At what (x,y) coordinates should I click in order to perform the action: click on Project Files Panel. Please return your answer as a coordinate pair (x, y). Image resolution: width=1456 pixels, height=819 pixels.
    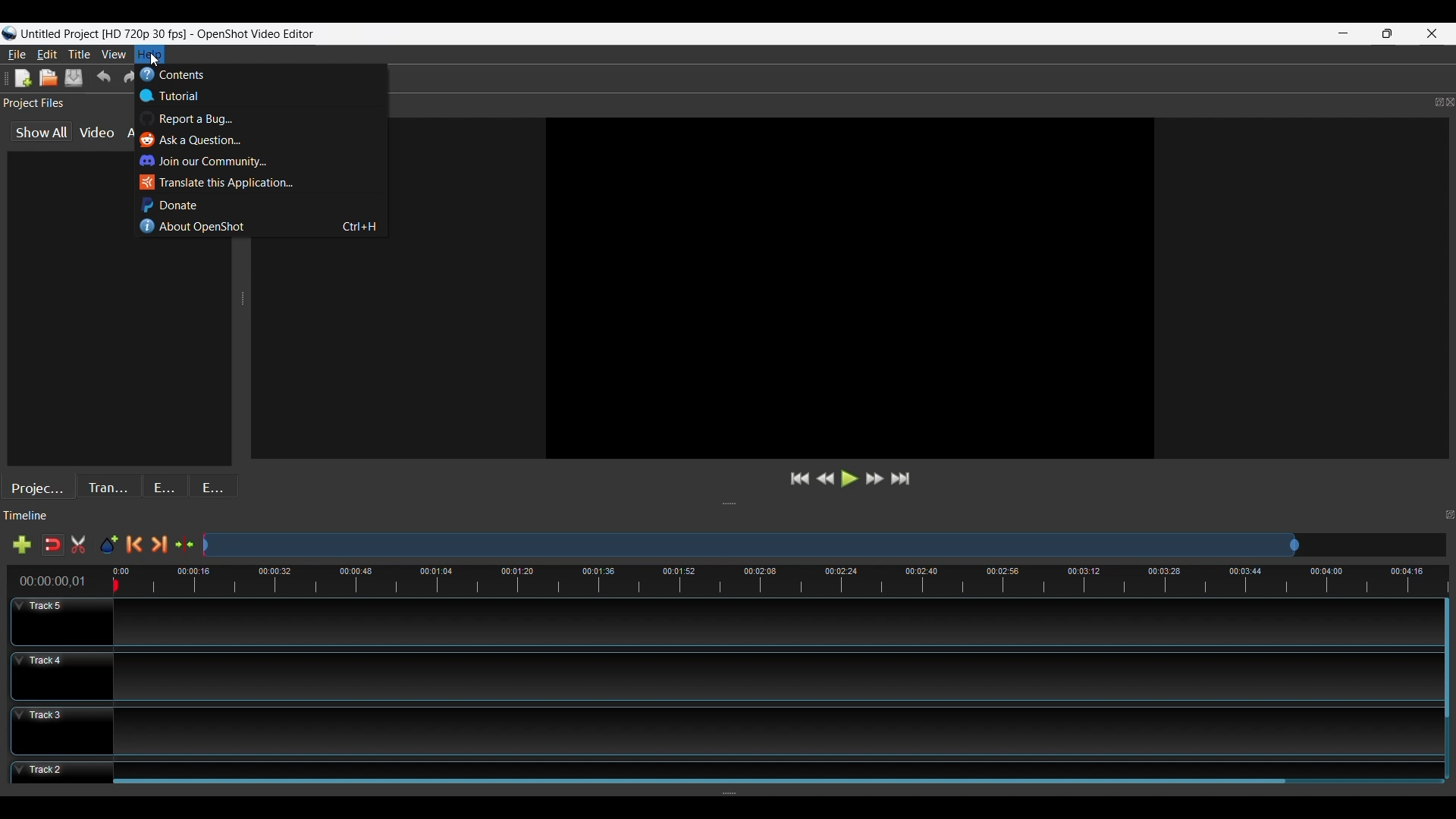
    Looking at the image, I should click on (55, 101).